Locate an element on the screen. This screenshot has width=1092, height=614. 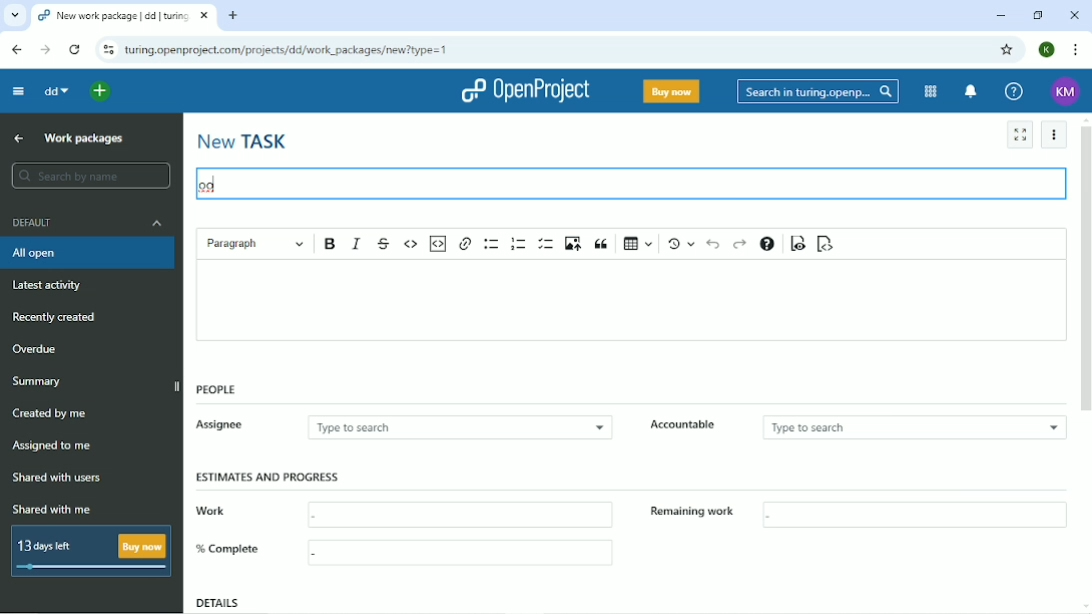
All open is located at coordinates (38, 254).